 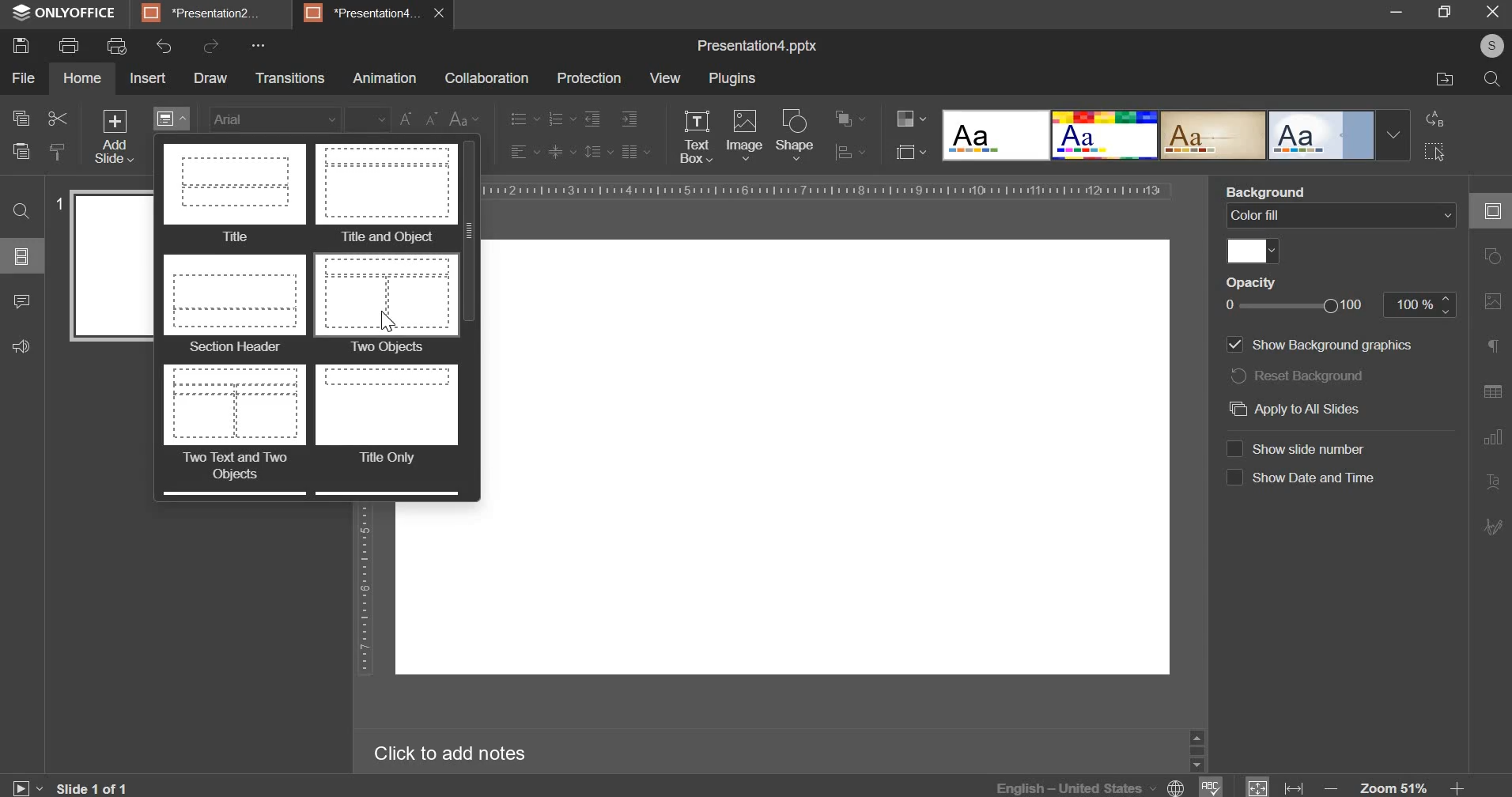 What do you see at coordinates (1490, 301) in the screenshot?
I see `image setting` at bounding box center [1490, 301].